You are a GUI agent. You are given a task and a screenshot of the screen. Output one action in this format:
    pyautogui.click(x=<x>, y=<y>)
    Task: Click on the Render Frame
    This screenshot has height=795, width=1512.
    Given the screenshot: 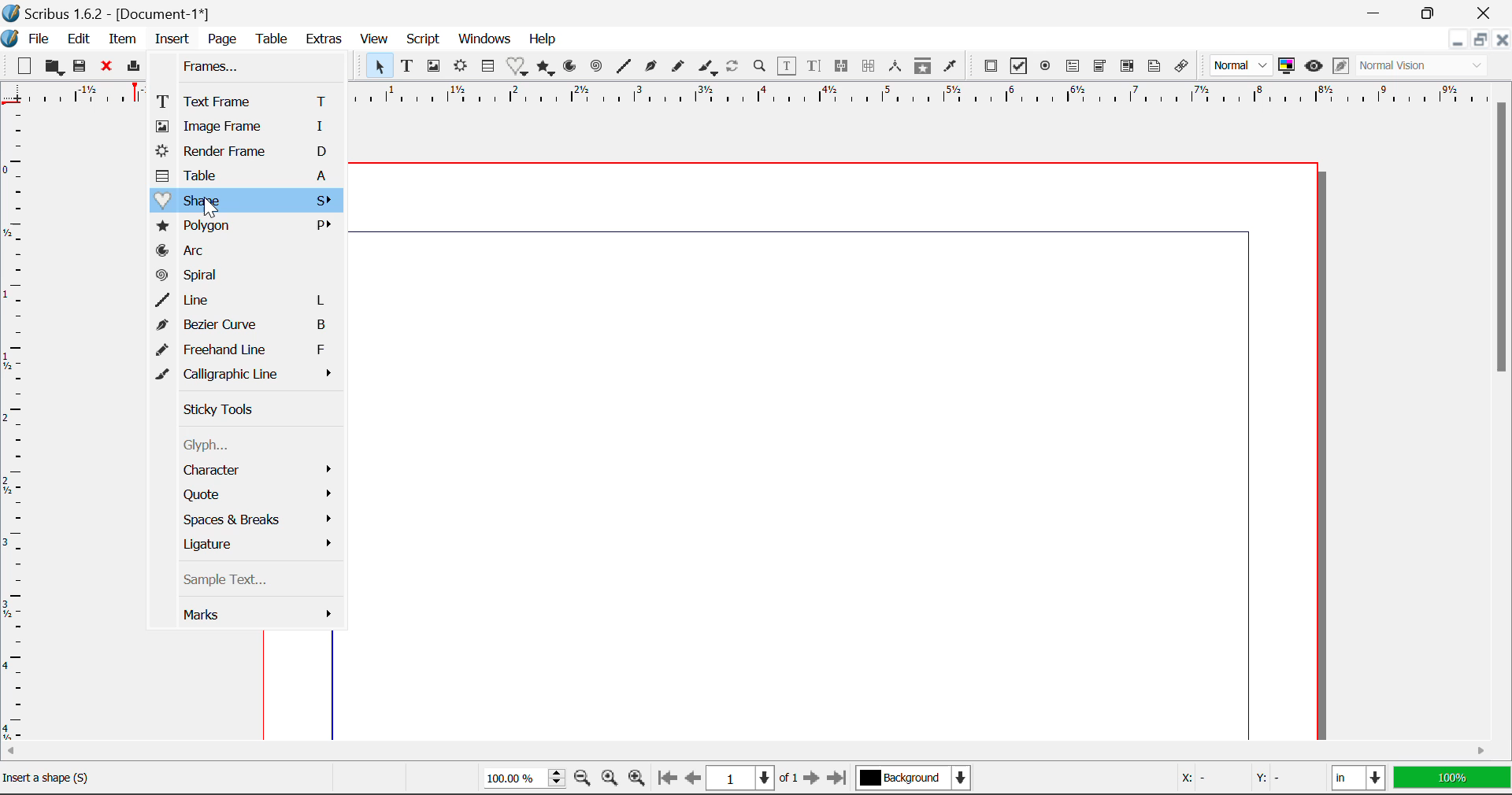 What is the action you would take?
    pyautogui.click(x=246, y=153)
    